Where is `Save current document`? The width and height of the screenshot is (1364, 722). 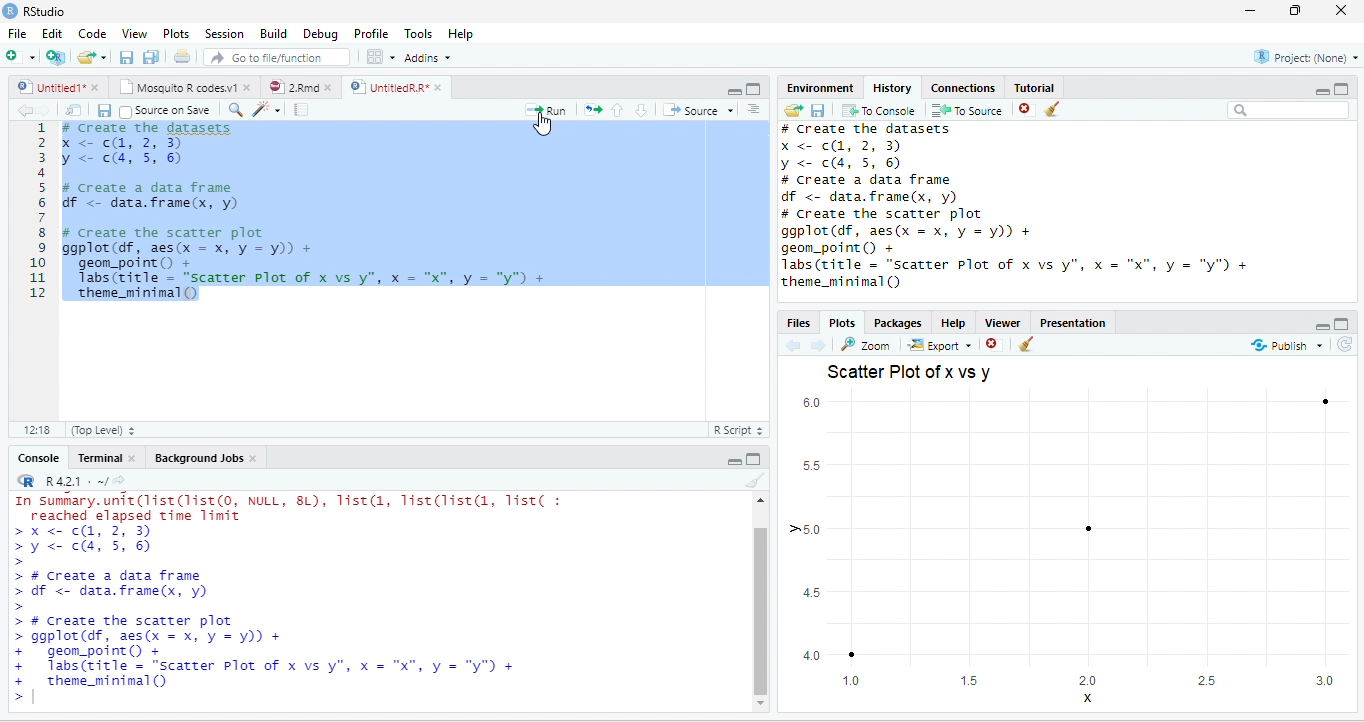
Save current document is located at coordinates (127, 56).